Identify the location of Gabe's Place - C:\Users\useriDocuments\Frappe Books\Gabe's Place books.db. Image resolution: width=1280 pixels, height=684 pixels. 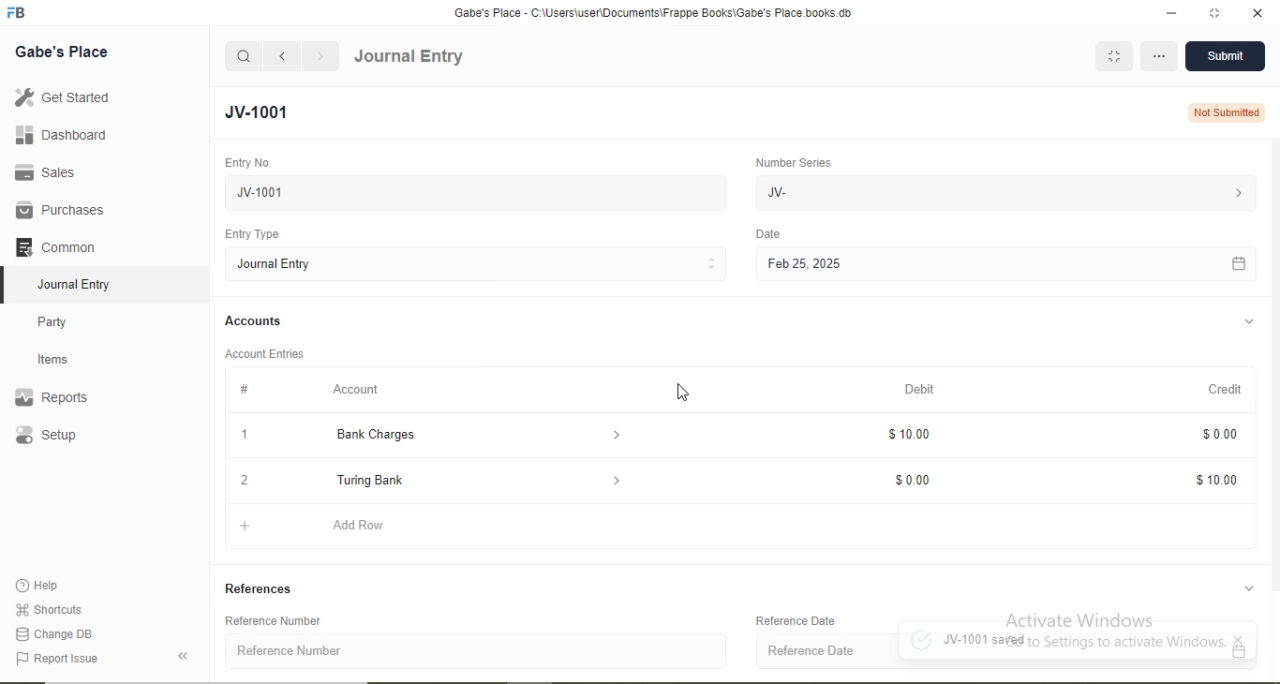
(655, 12).